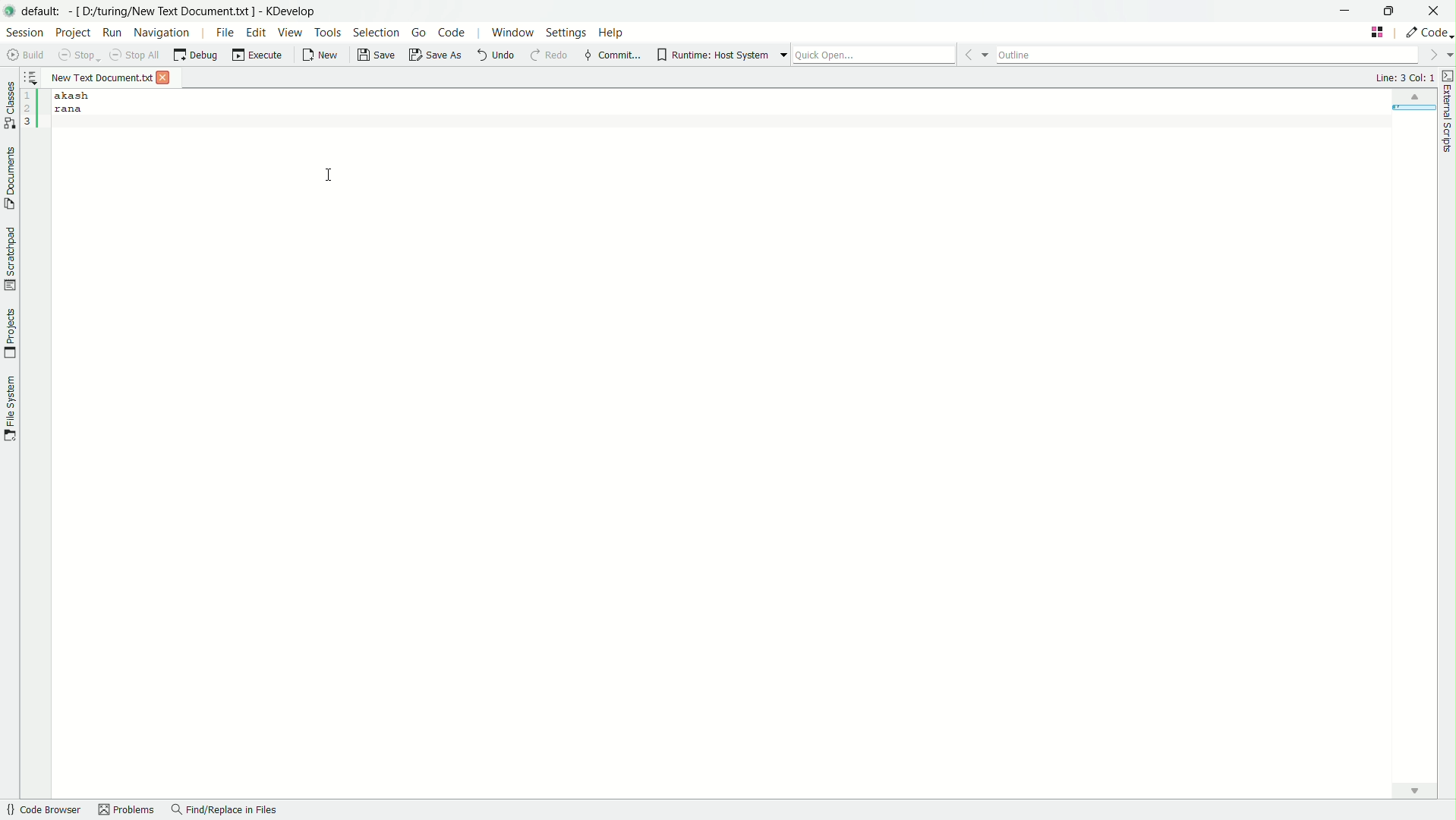 The height and width of the screenshot is (820, 1456). I want to click on toggle projects, so click(9, 335).